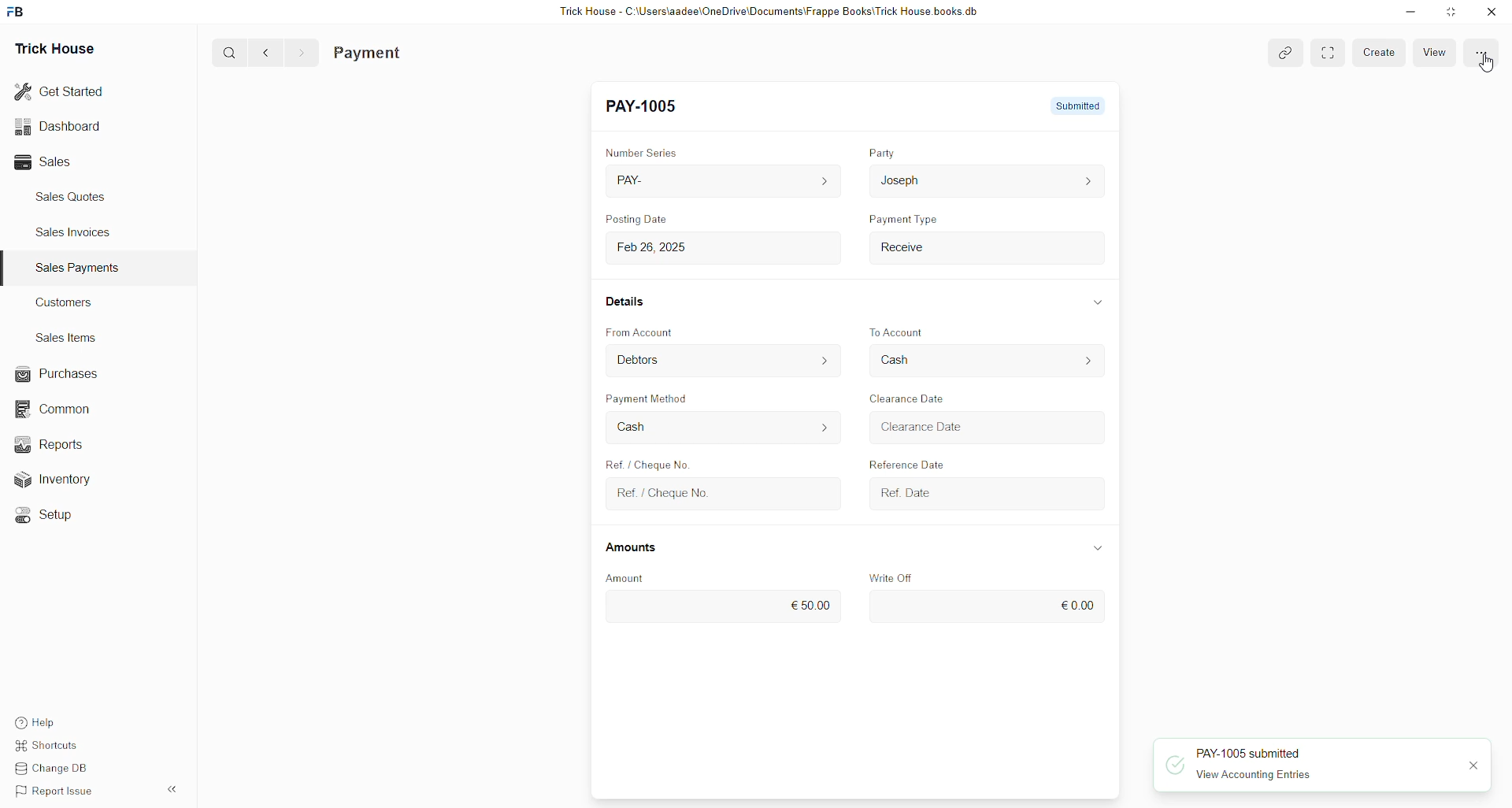 The width and height of the screenshot is (1512, 808). What do you see at coordinates (53, 743) in the screenshot?
I see `Shortcuts` at bounding box center [53, 743].